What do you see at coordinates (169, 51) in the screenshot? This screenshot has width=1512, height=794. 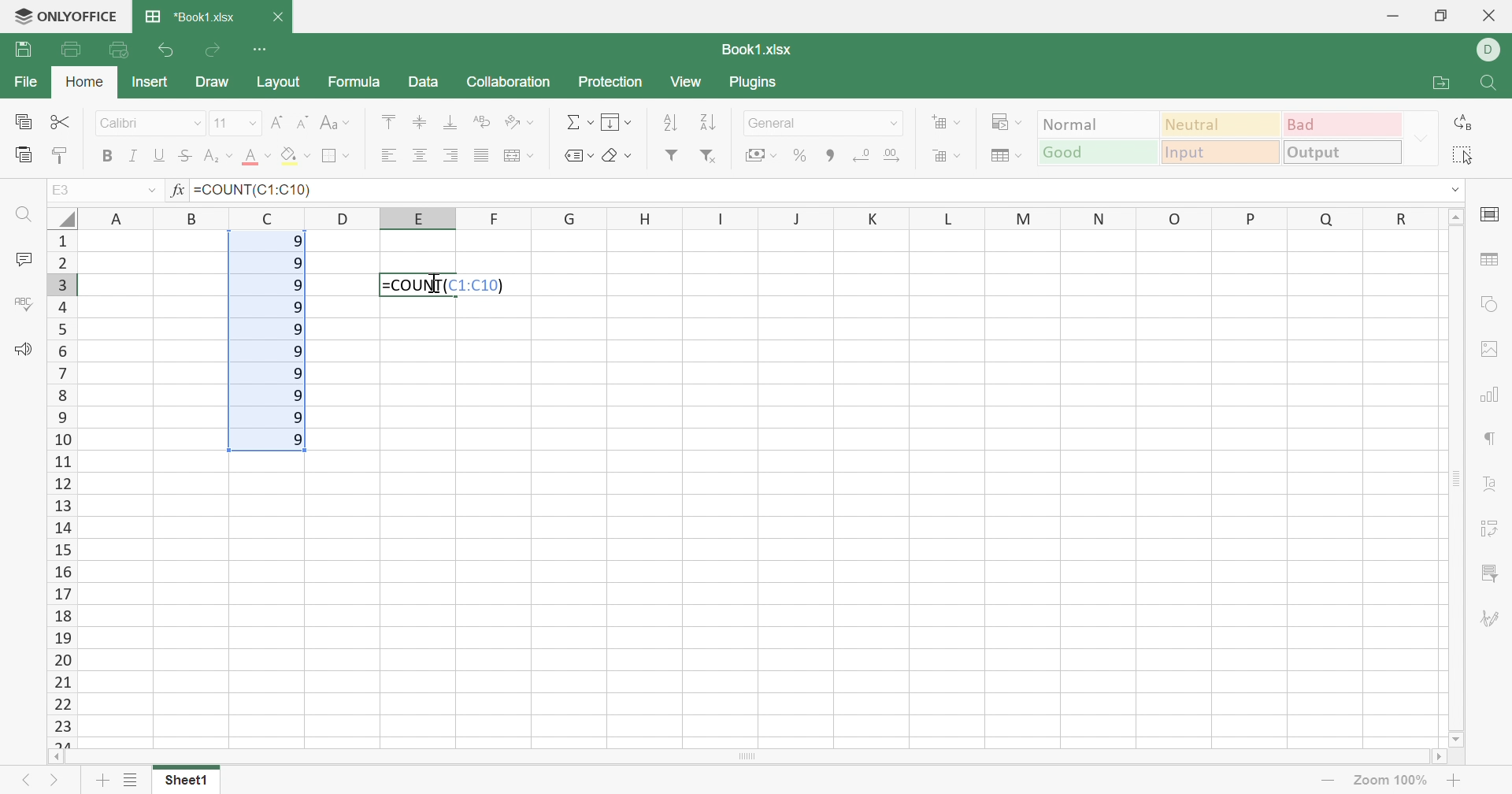 I see `Undo` at bounding box center [169, 51].